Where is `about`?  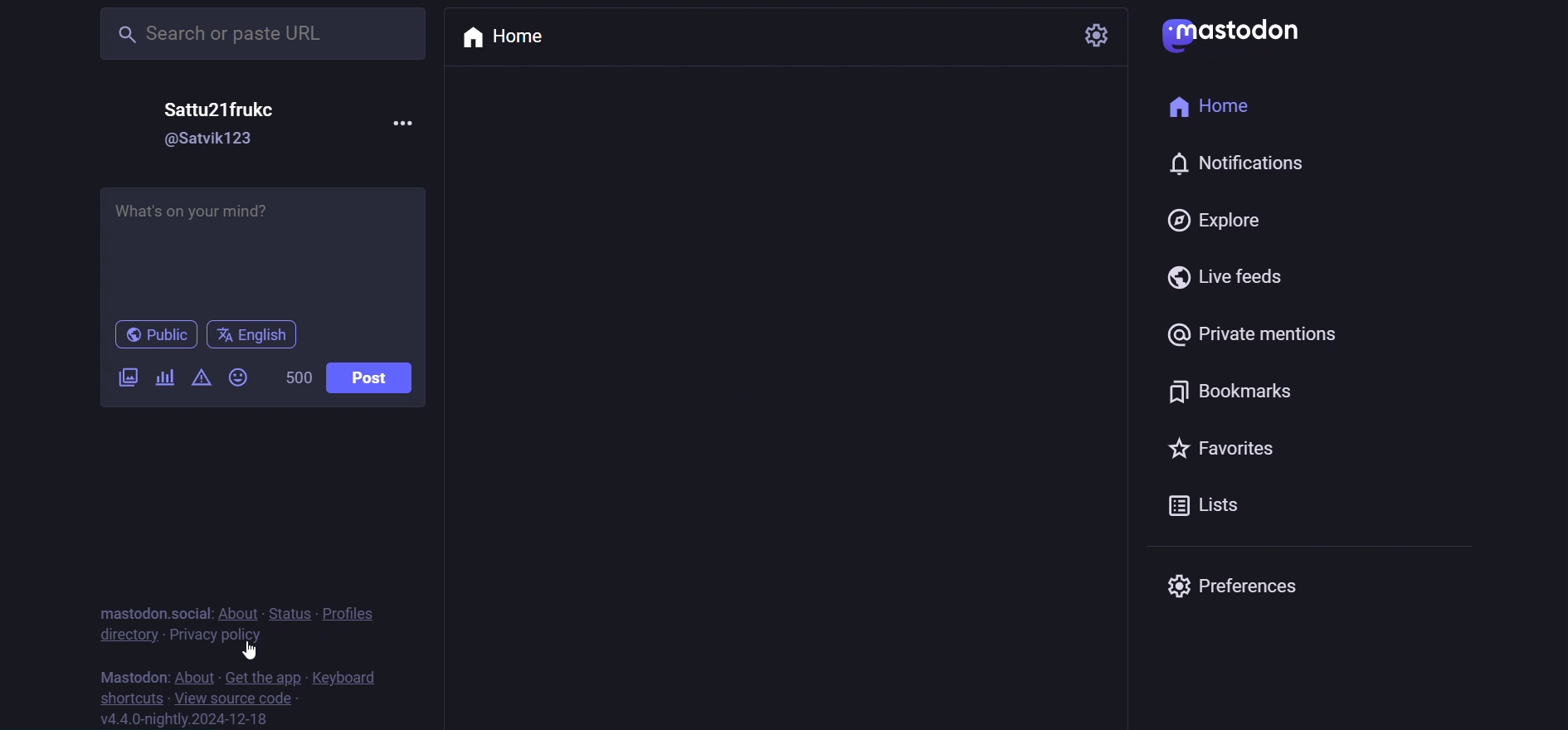
about is located at coordinates (197, 676).